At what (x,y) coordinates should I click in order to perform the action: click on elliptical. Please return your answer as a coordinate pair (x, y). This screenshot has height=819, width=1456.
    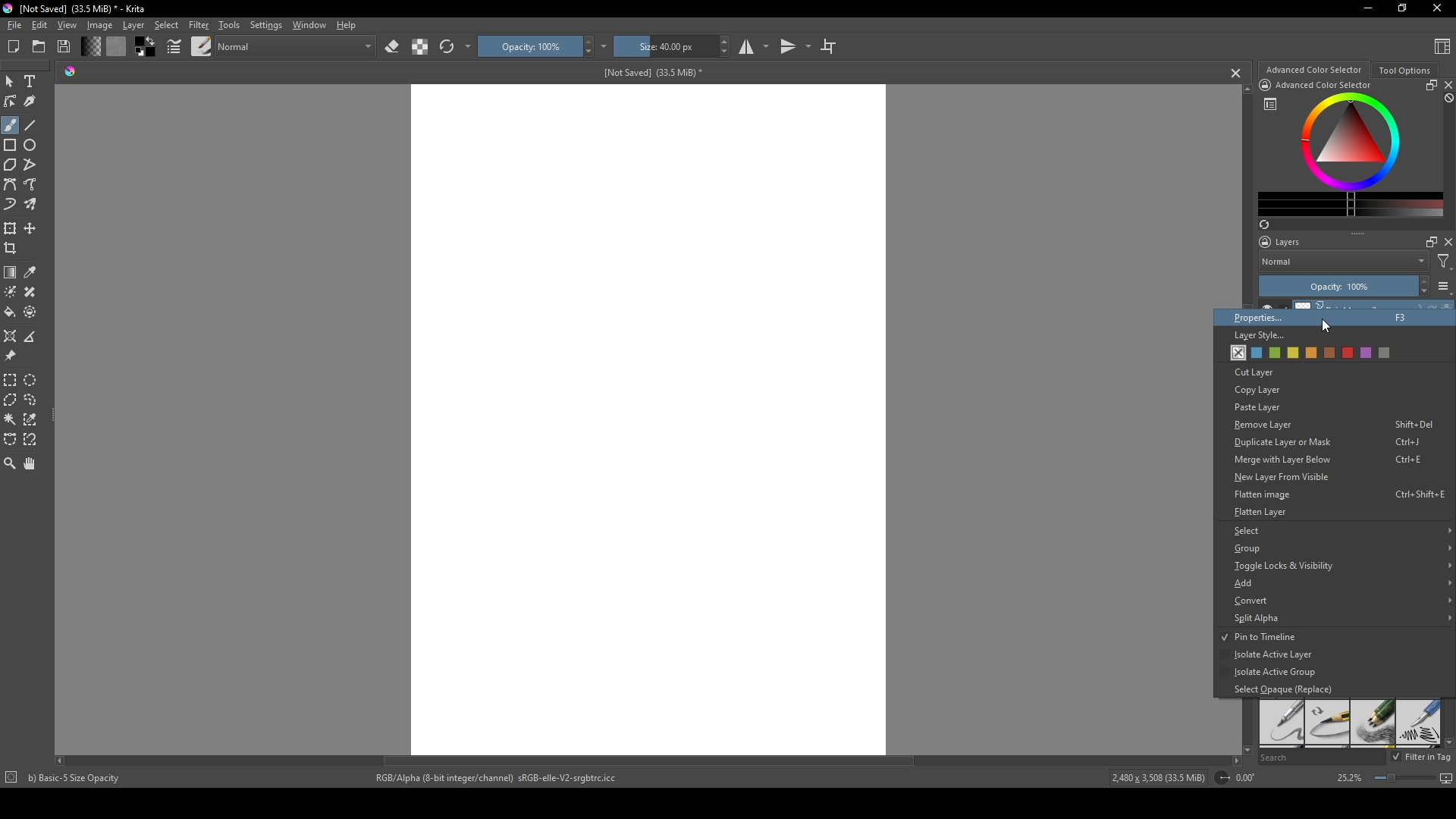
    Looking at the image, I should click on (33, 379).